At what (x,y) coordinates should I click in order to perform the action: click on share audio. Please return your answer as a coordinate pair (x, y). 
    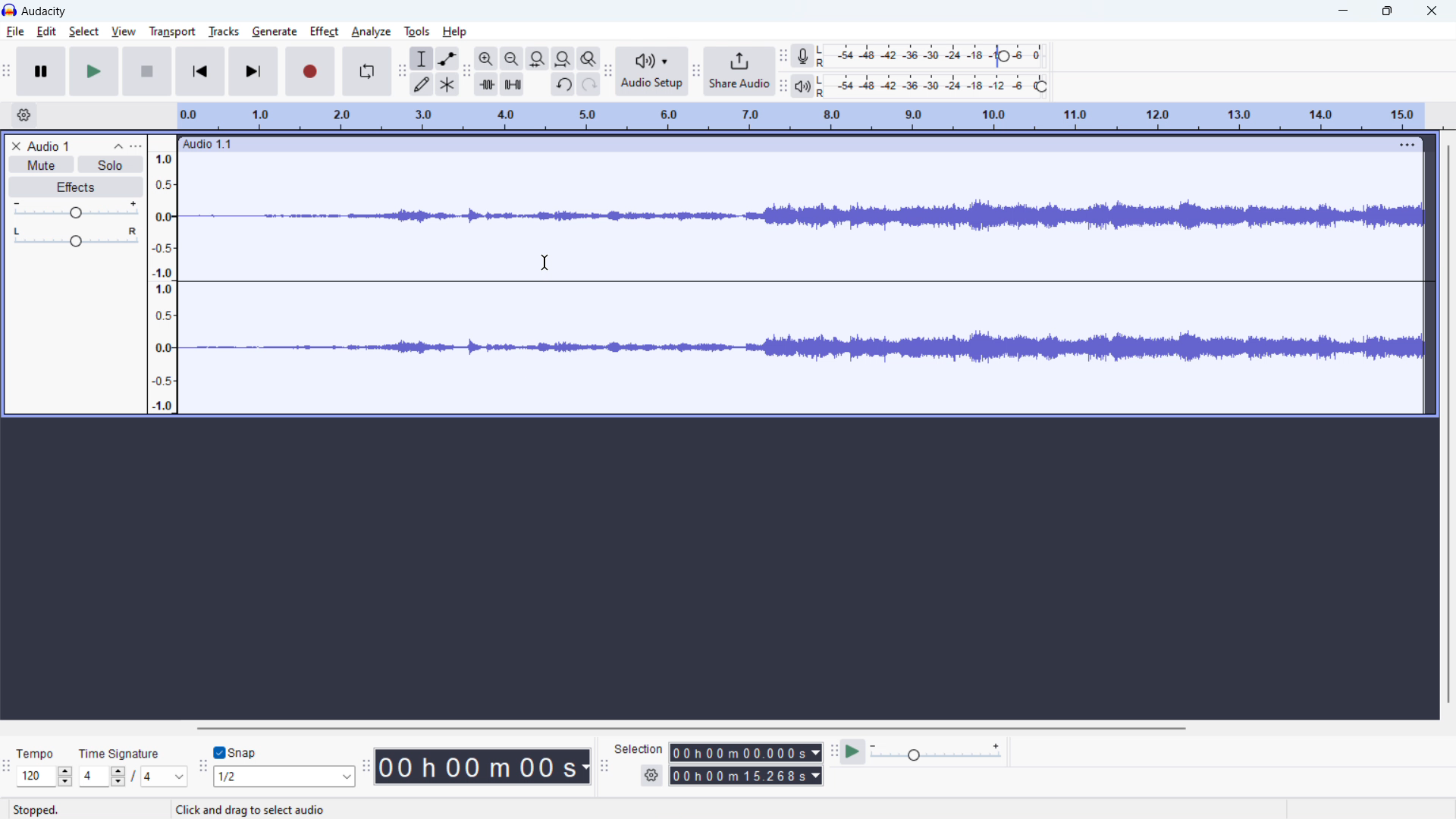
    Looking at the image, I should click on (739, 71).